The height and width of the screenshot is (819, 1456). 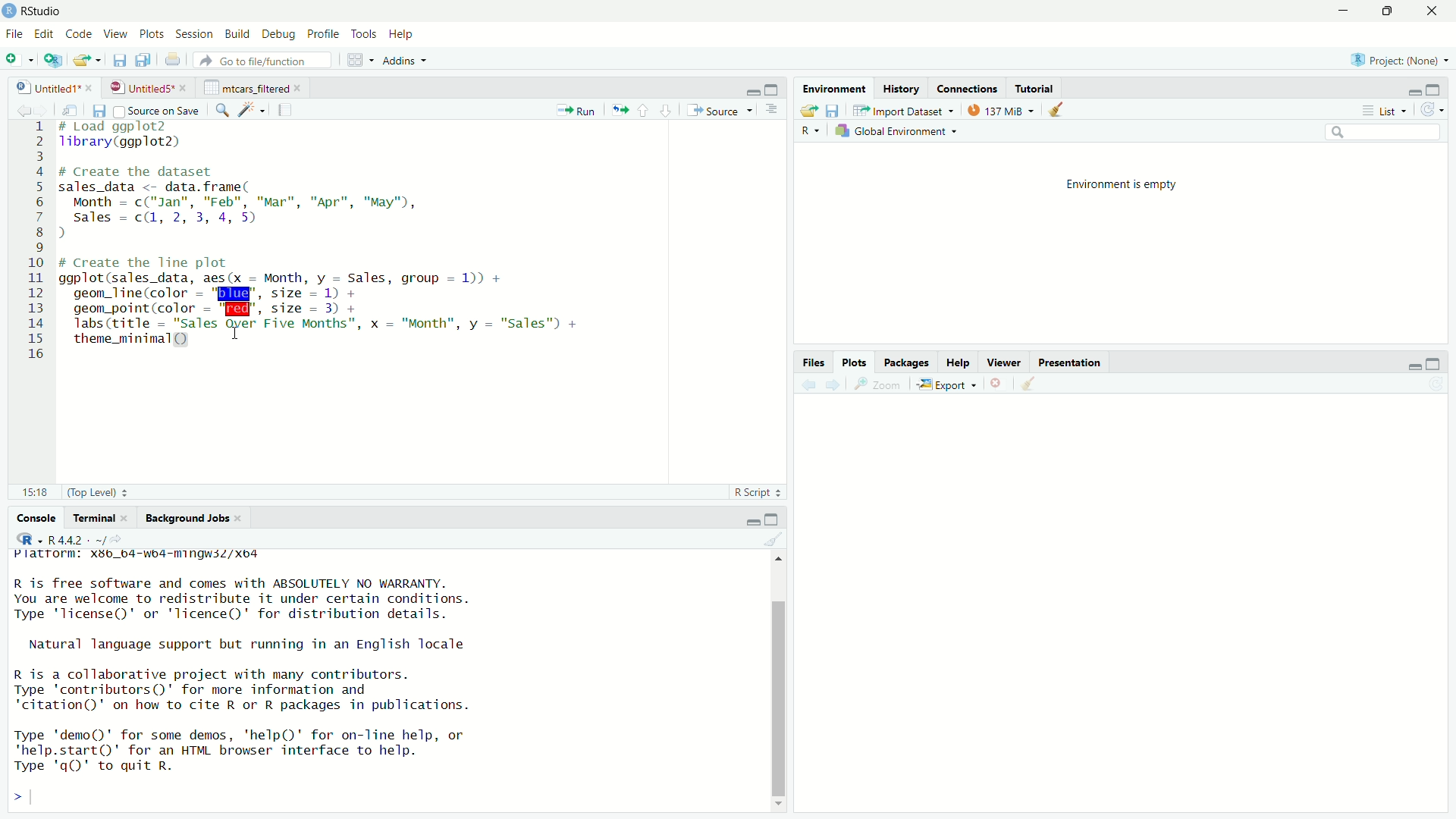 I want to click on show in new window, so click(x=76, y=110).